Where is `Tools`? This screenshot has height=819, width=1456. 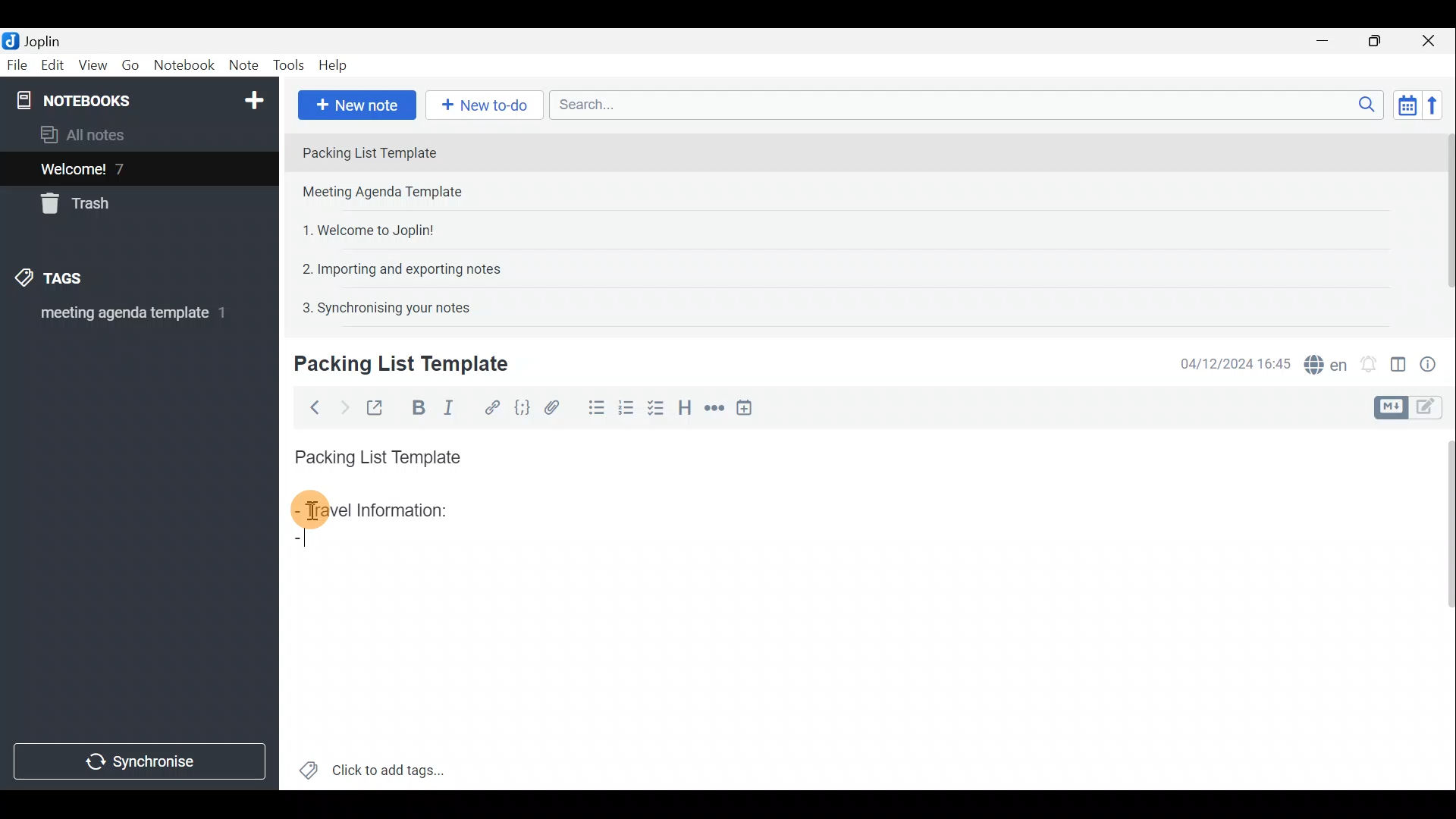
Tools is located at coordinates (290, 66).